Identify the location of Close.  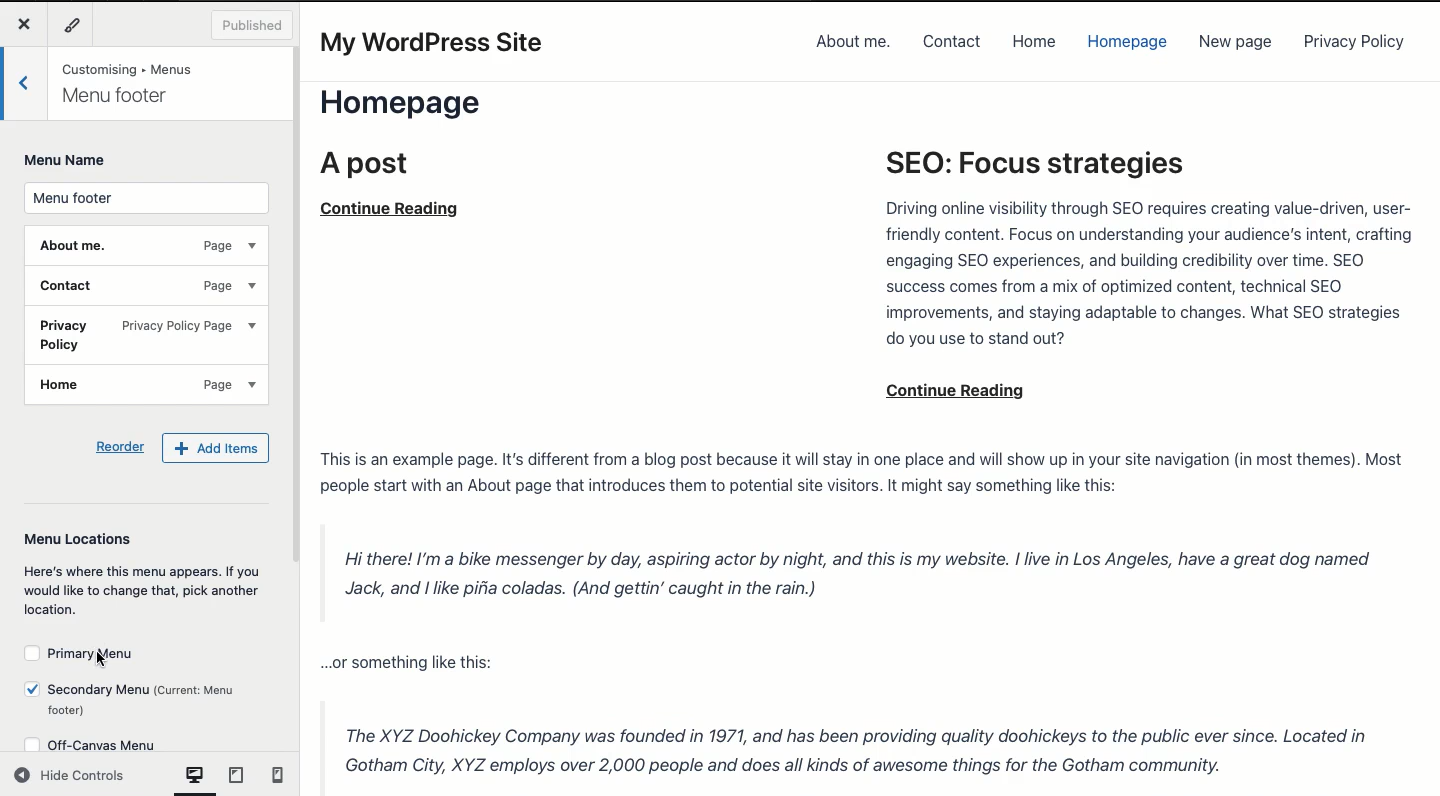
(23, 23).